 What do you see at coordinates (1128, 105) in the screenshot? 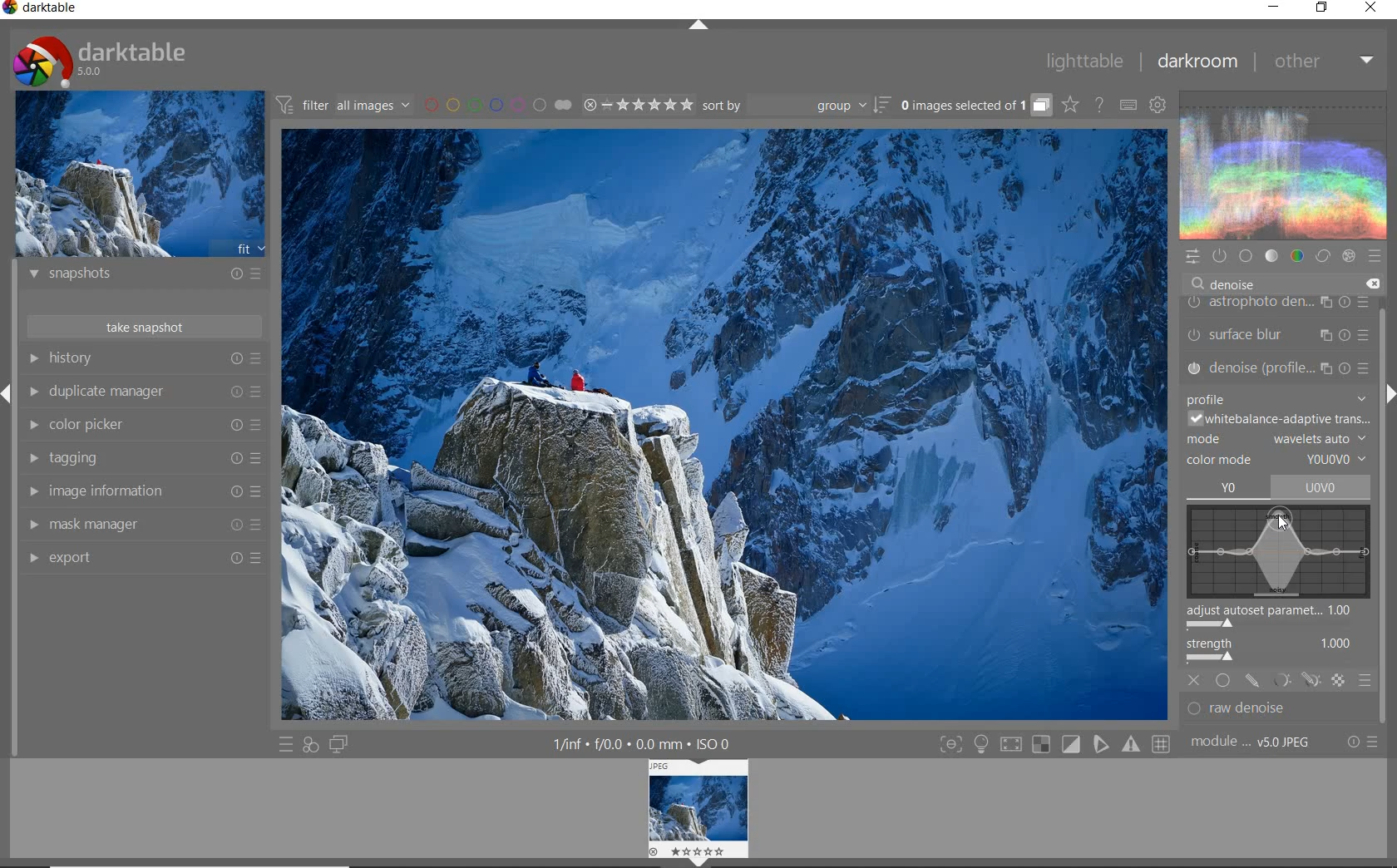
I see `set keyboard shortcuts` at bounding box center [1128, 105].